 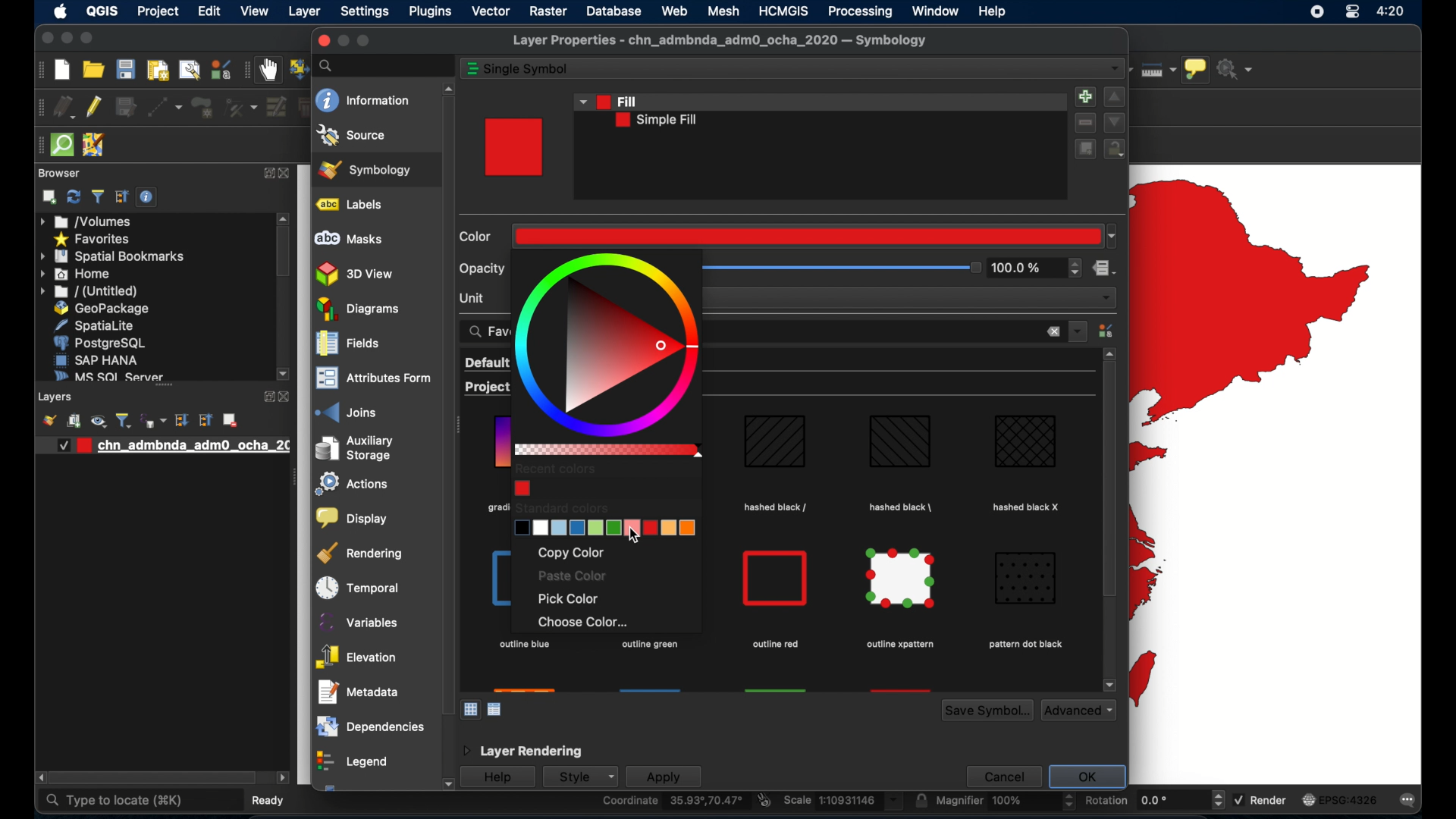 I want to click on geopackage, so click(x=102, y=309).